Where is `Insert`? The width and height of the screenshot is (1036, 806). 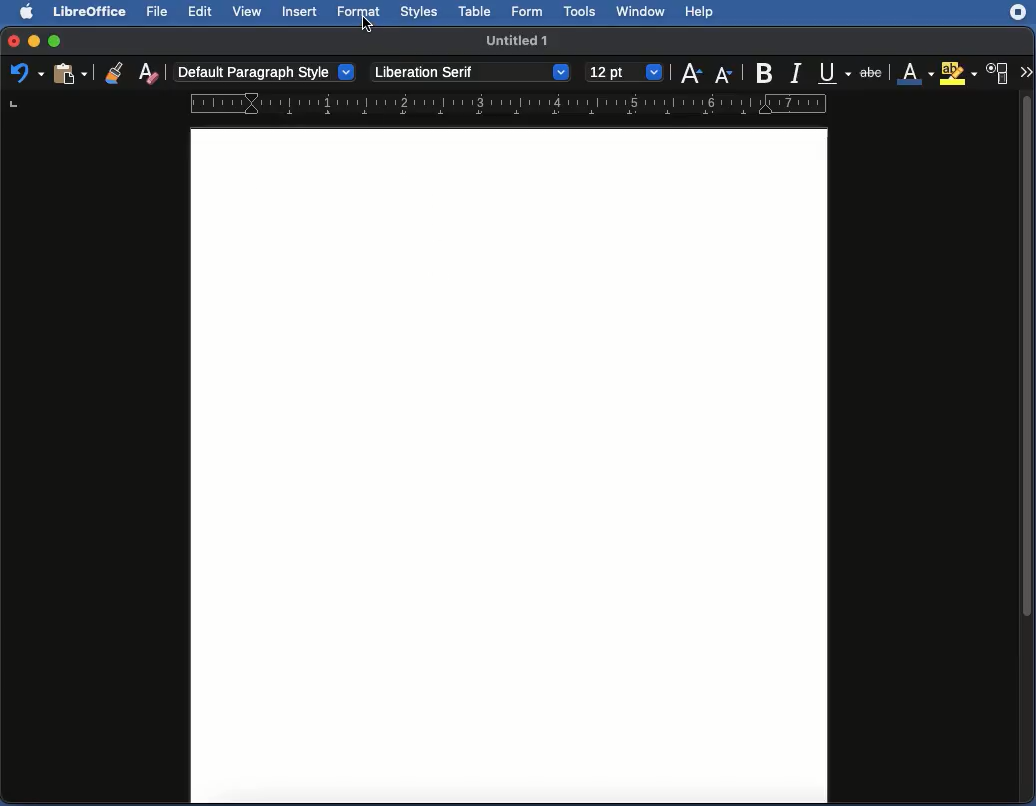 Insert is located at coordinates (300, 12).